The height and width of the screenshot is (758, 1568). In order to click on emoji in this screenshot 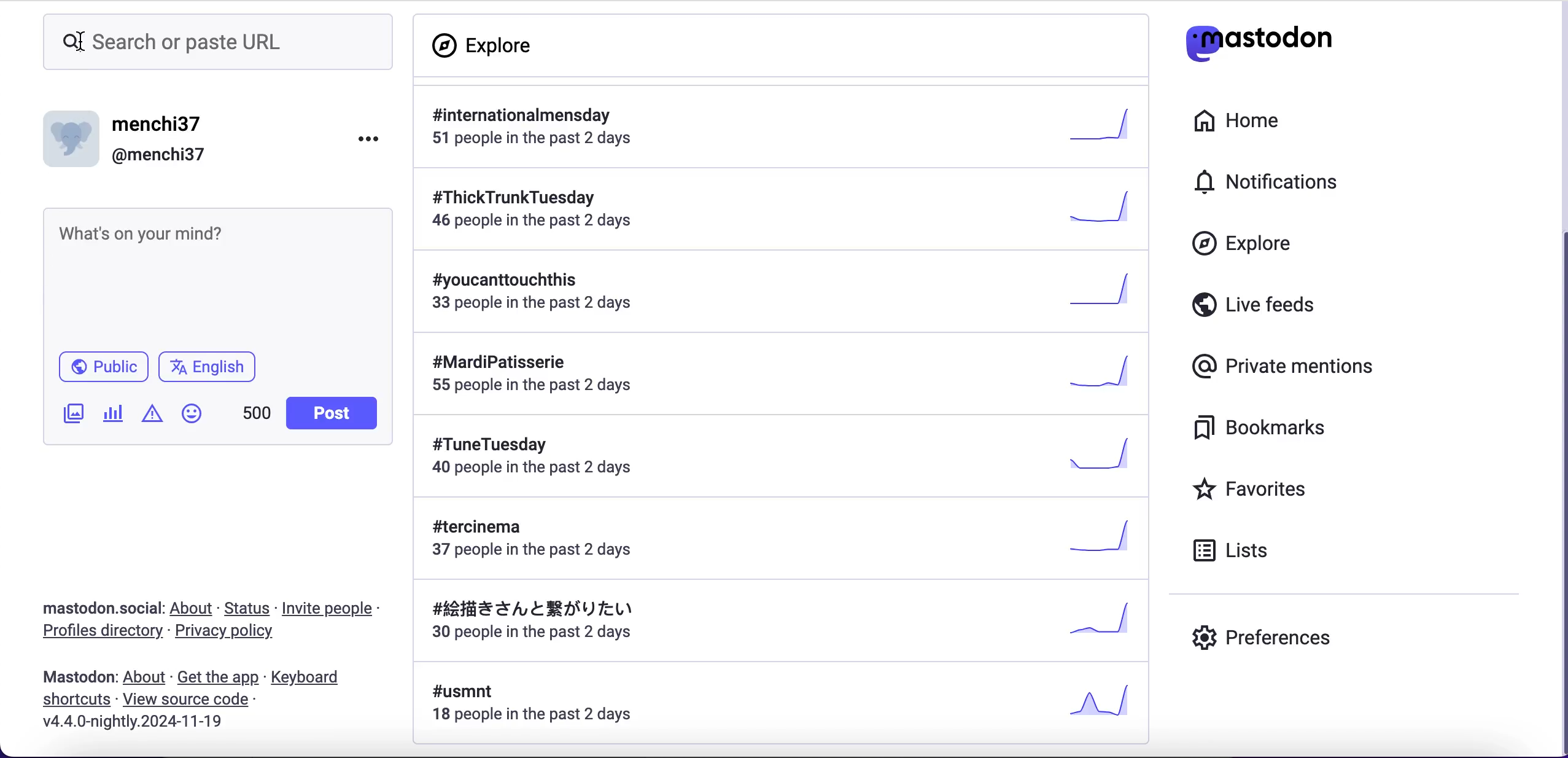, I will do `click(195, 413)`.